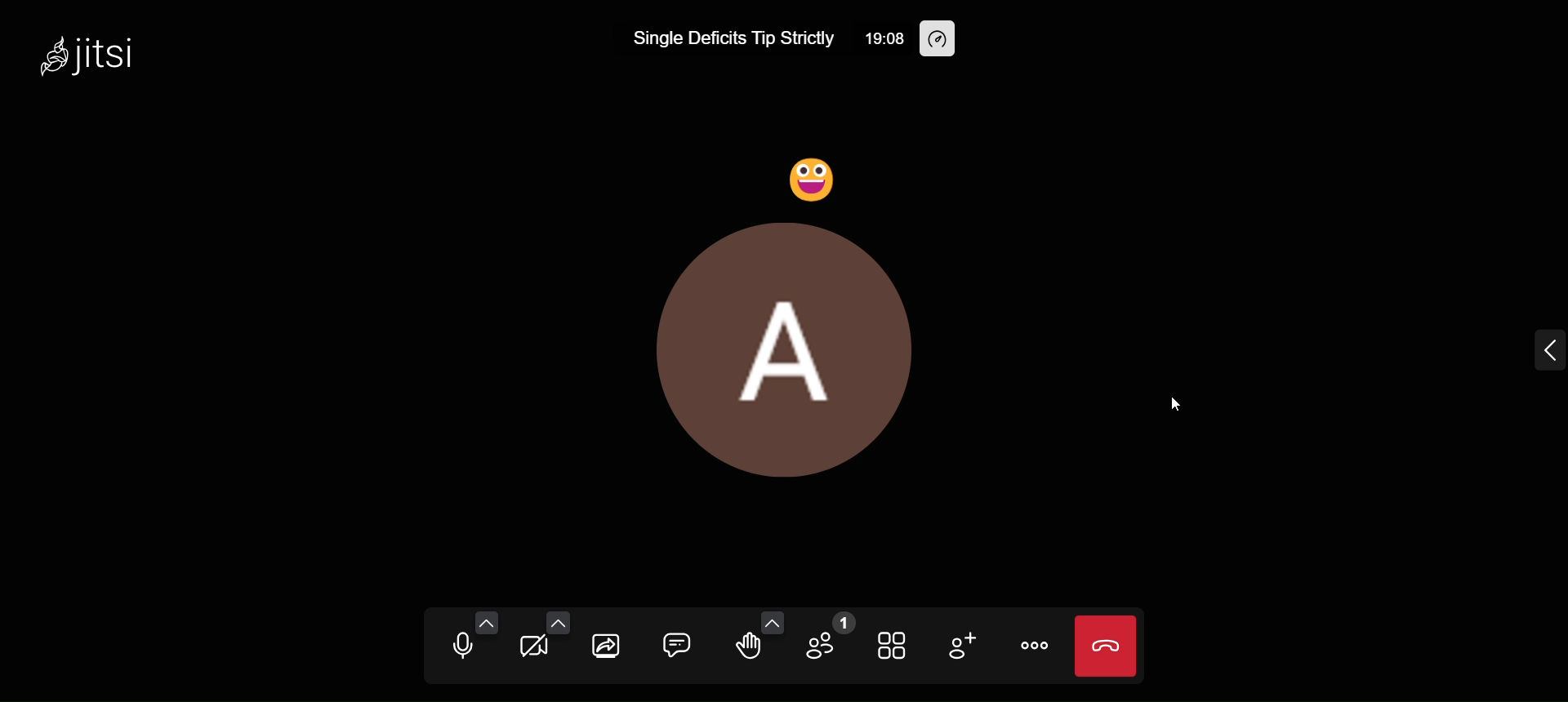 The width and height of the screenshot is (1568, 702). What do you see at coordinates (1108, 646) in the screenshot?
I see `end call` at bounding box center [1108, 646].